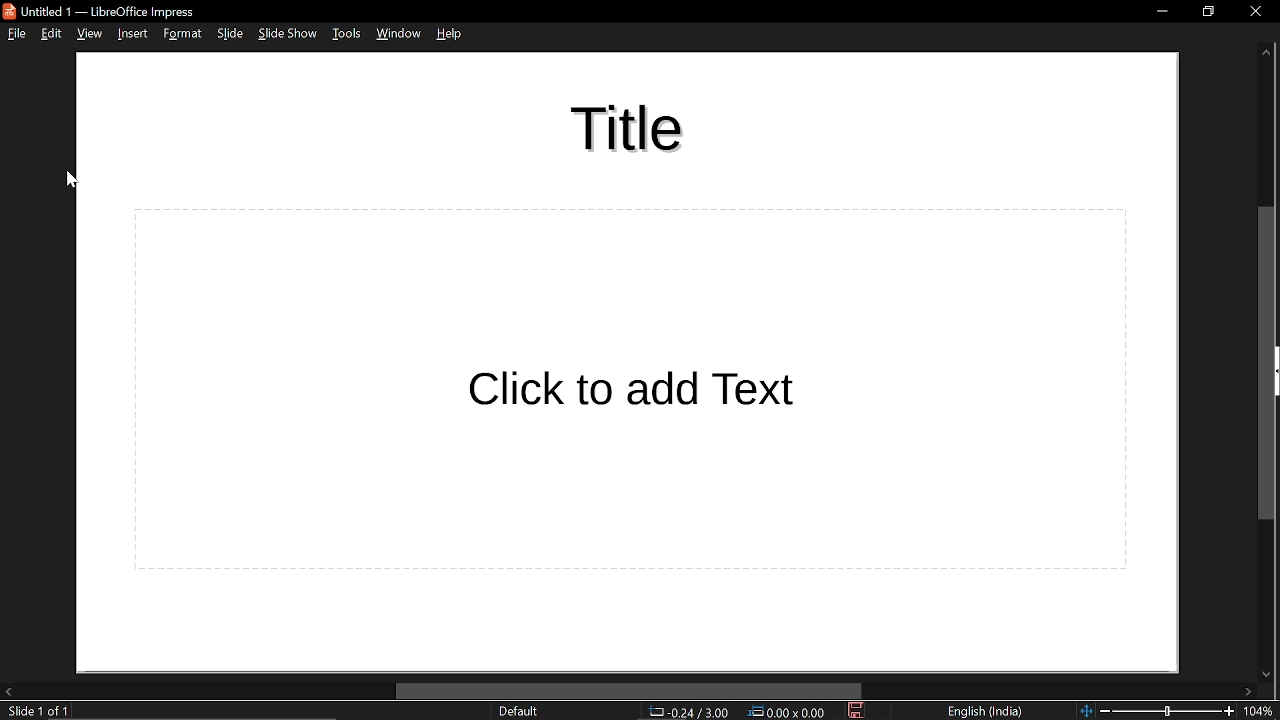 This screenshot has height=720, width=1280. What do you see at coordinates (347, 33) in the screenshot?
I see `tools` at bounding box center [347, 33].